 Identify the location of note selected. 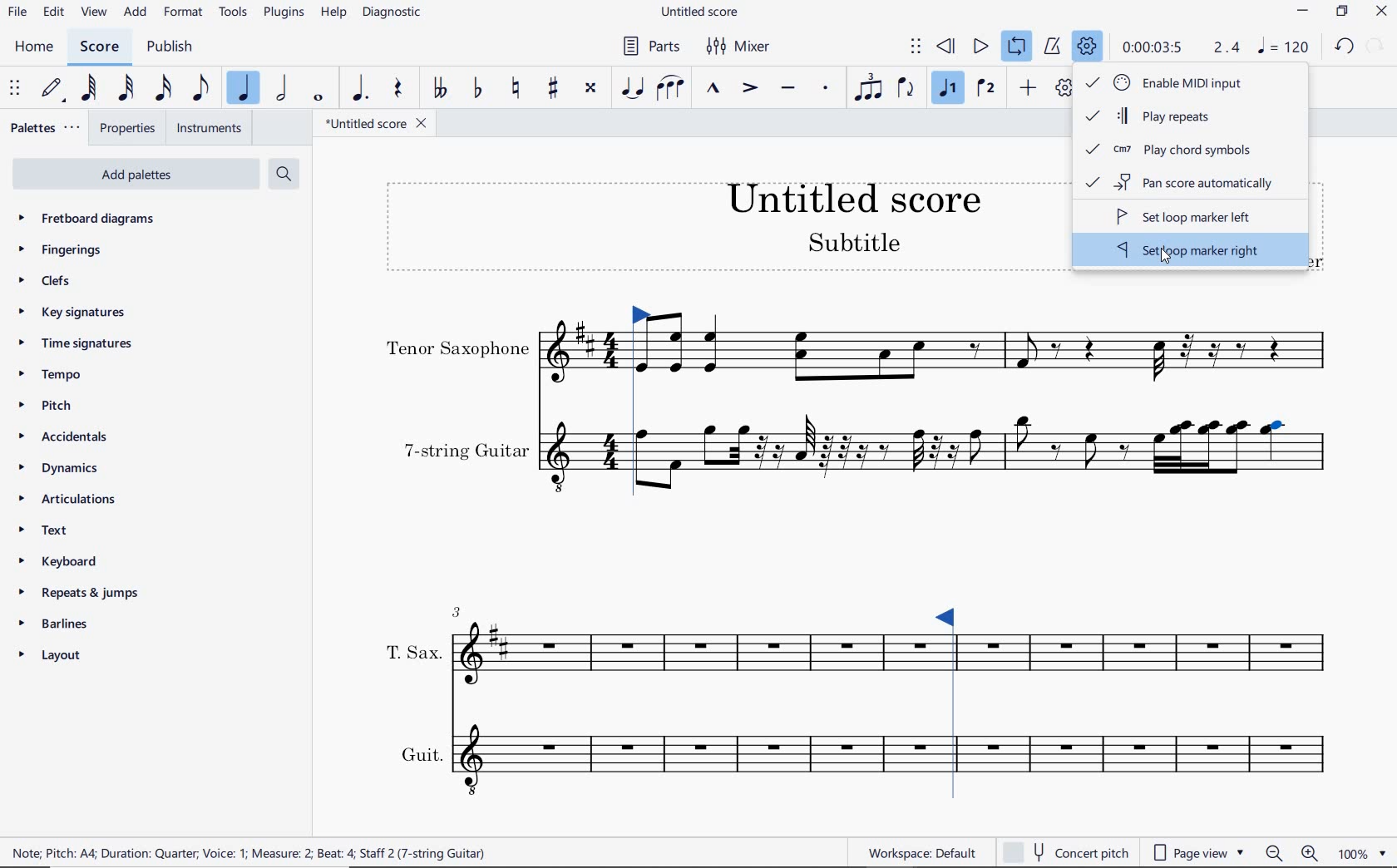
(1278, 426).